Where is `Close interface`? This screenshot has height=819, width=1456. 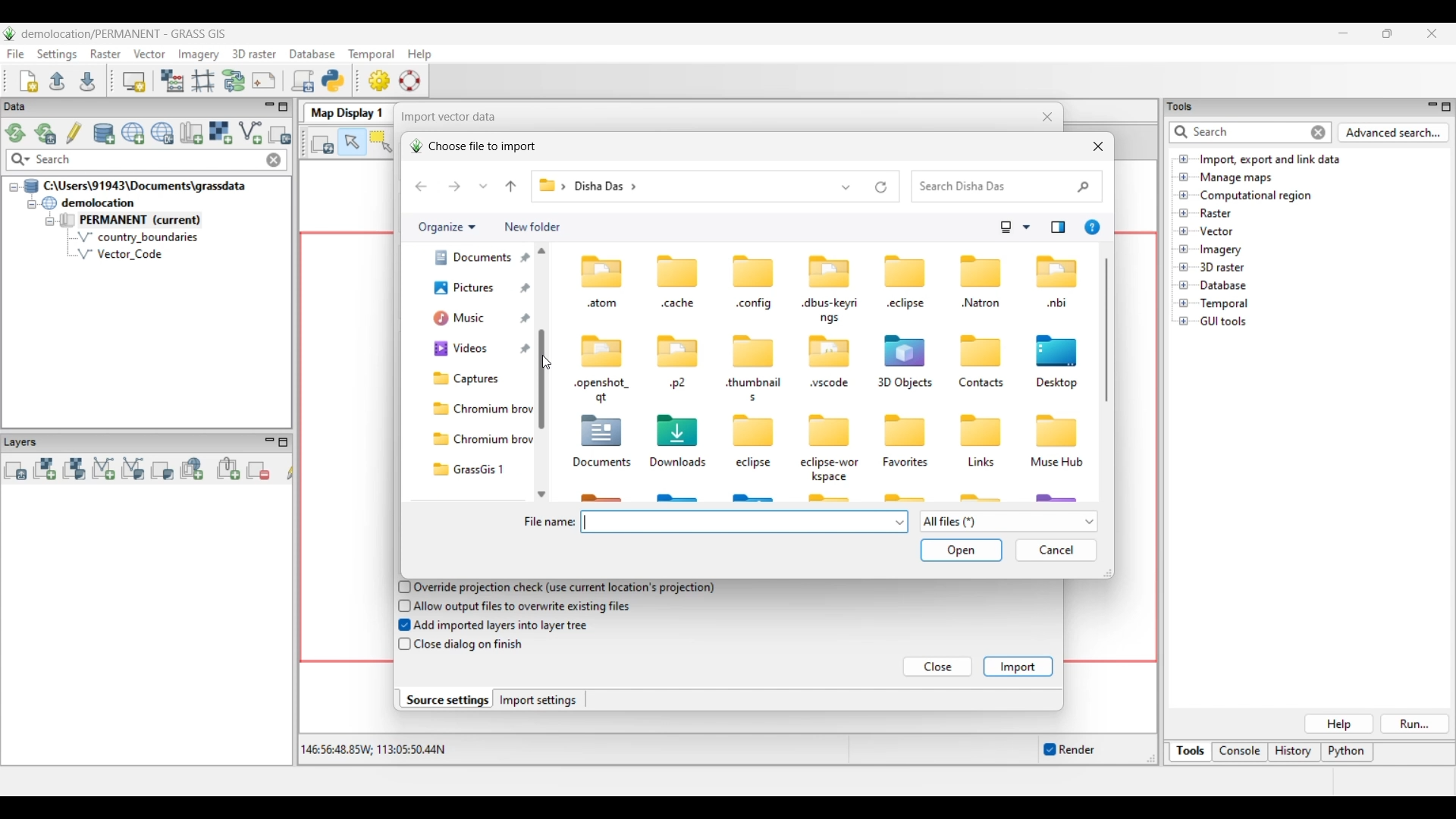 Close interface is located at coordinates (1431, 33).